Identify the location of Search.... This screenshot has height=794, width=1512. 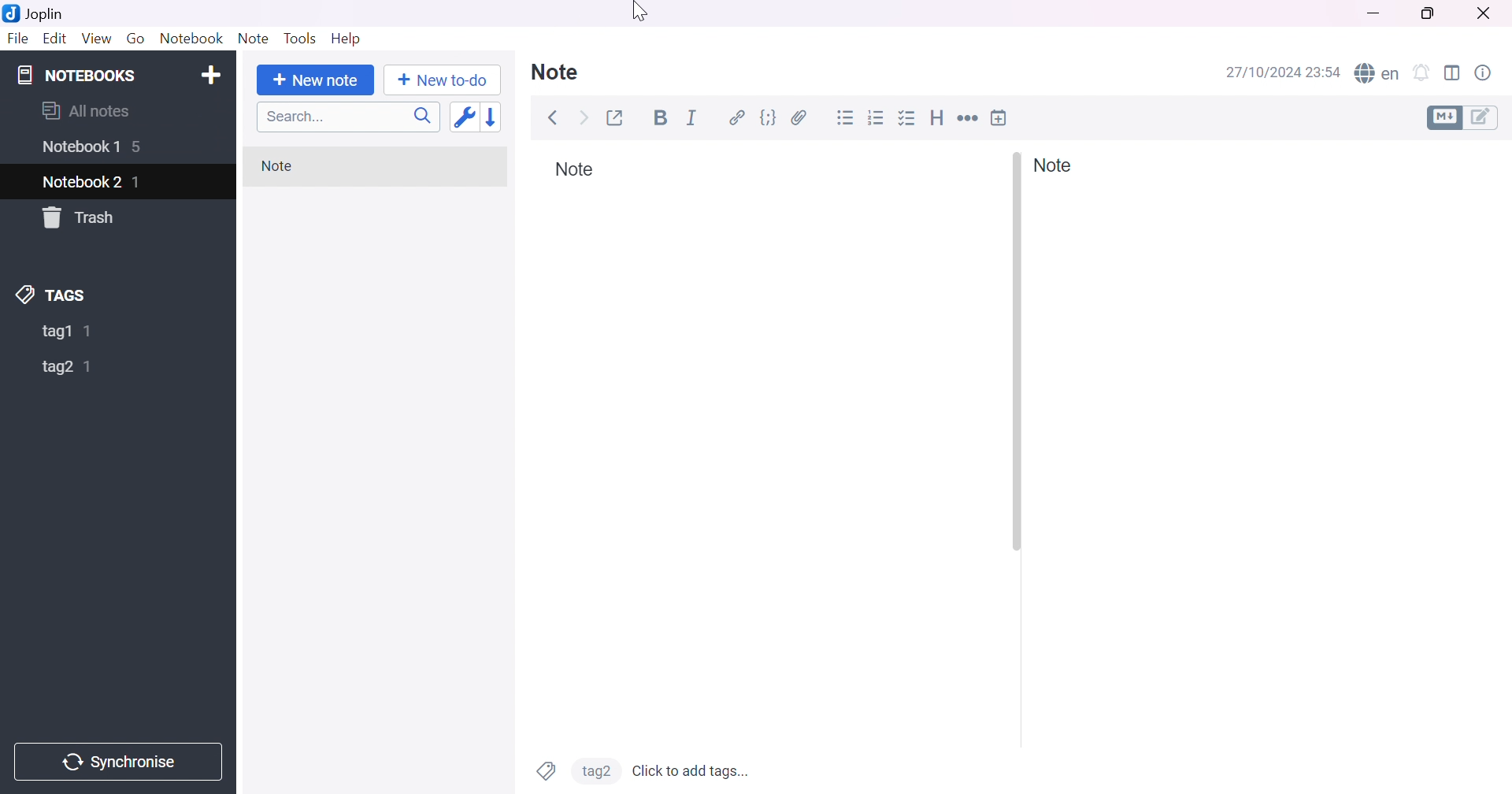
(291, 118).